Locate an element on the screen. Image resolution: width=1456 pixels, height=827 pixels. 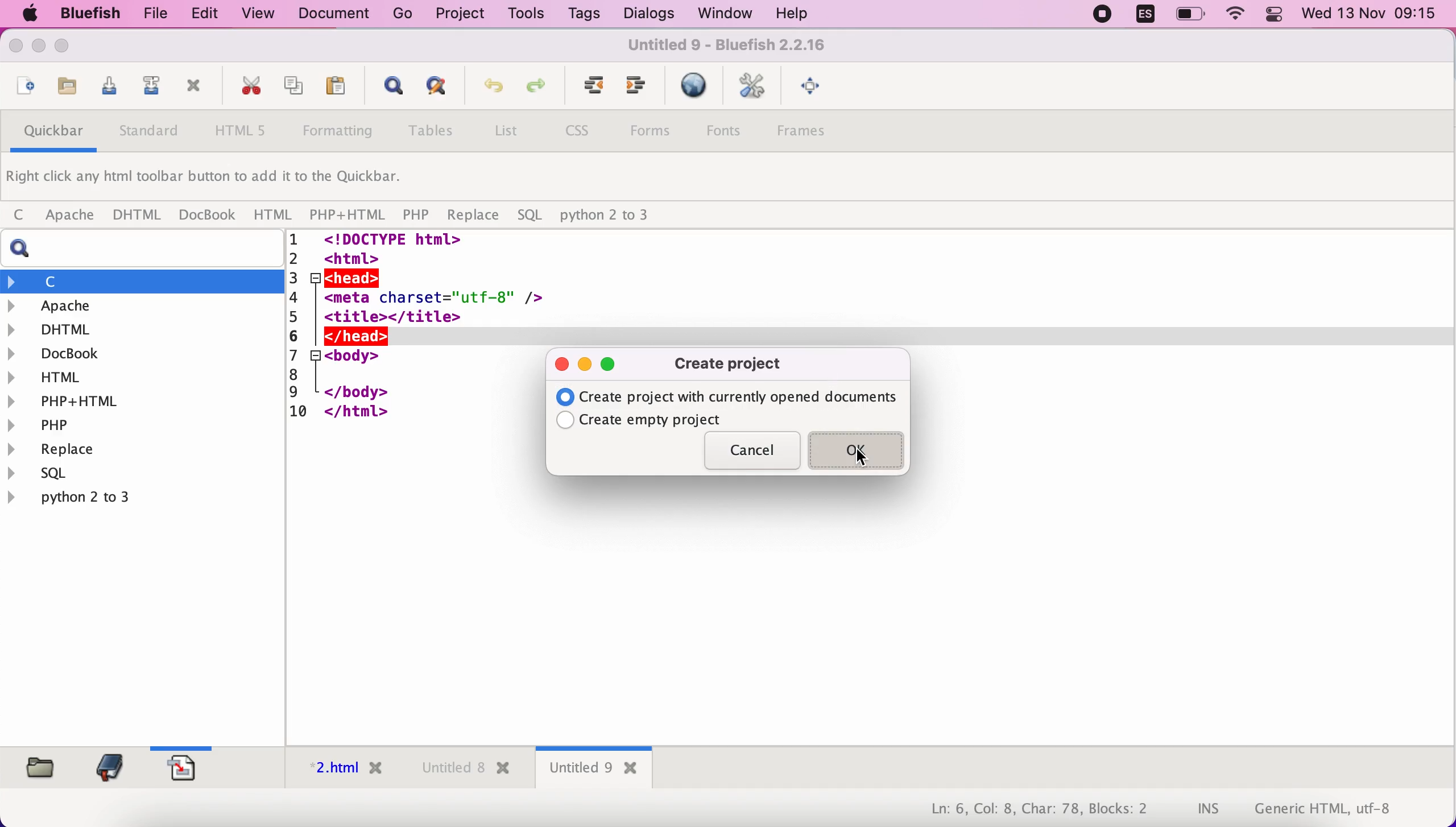
tab is located at coordinates (462, 770).